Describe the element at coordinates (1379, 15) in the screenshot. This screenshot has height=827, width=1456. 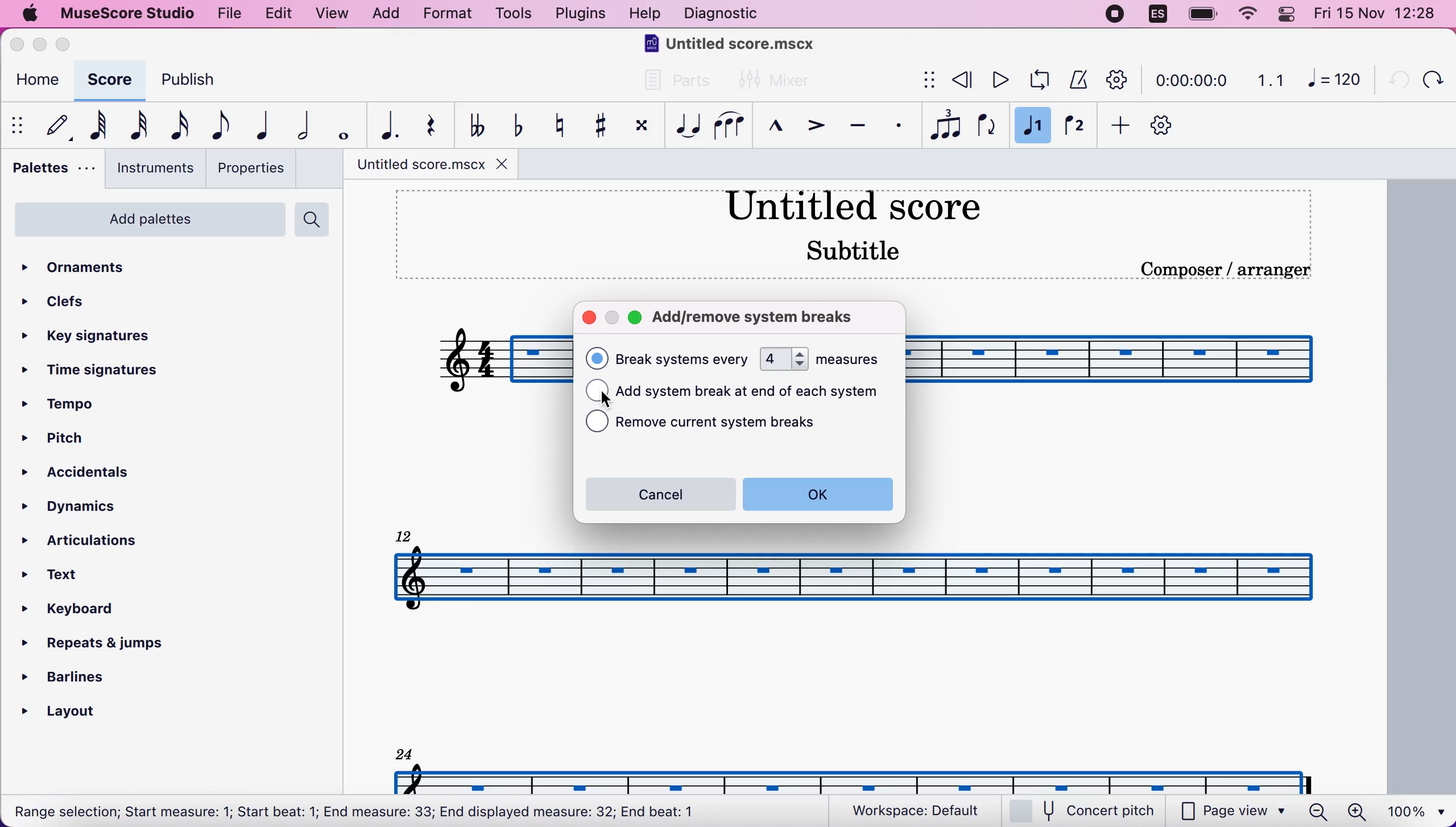
I see `time and date` at that location.